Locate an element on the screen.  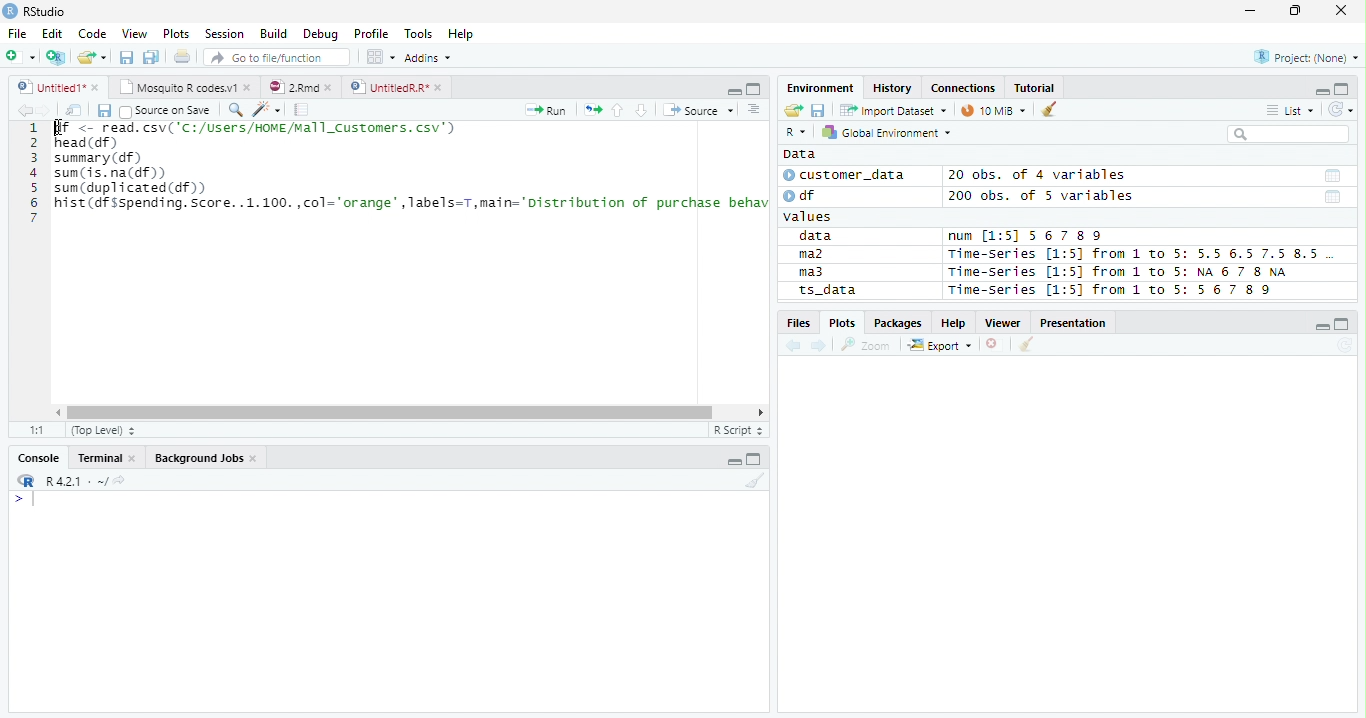
Save all open documents is located at coordinates (151, 58).